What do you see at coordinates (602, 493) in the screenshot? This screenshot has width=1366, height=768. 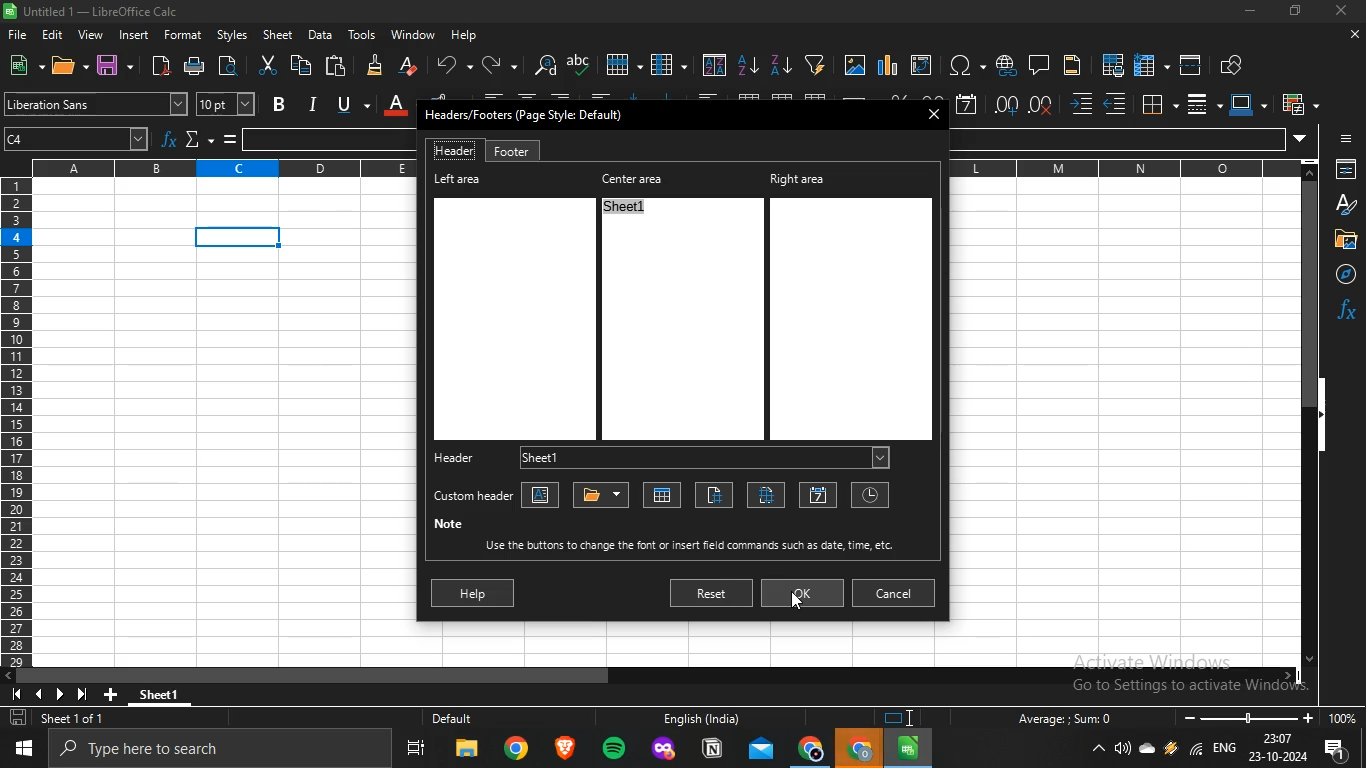 I see `title` at bounding box center [602, 493].